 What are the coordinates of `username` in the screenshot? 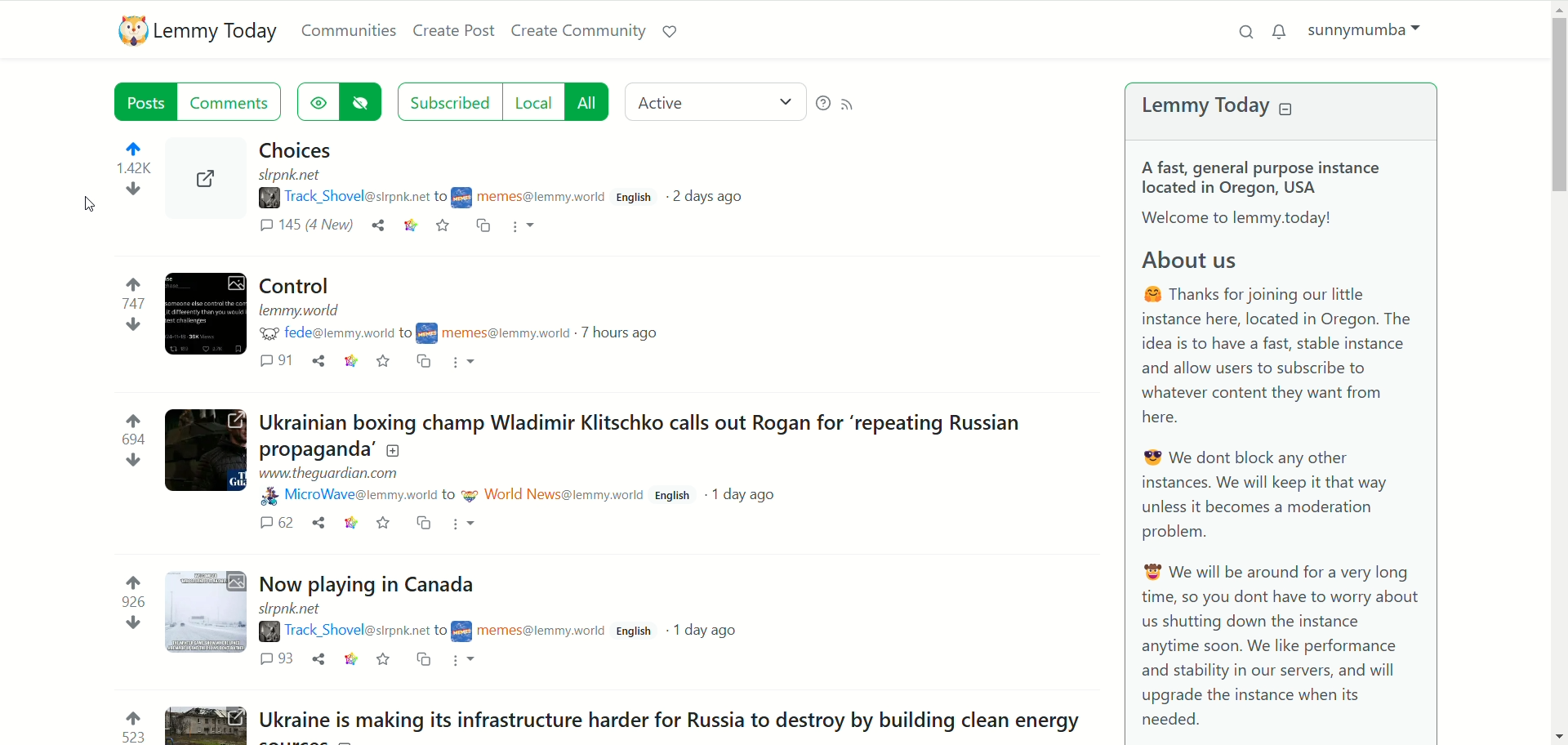 It's located at (565, 493).